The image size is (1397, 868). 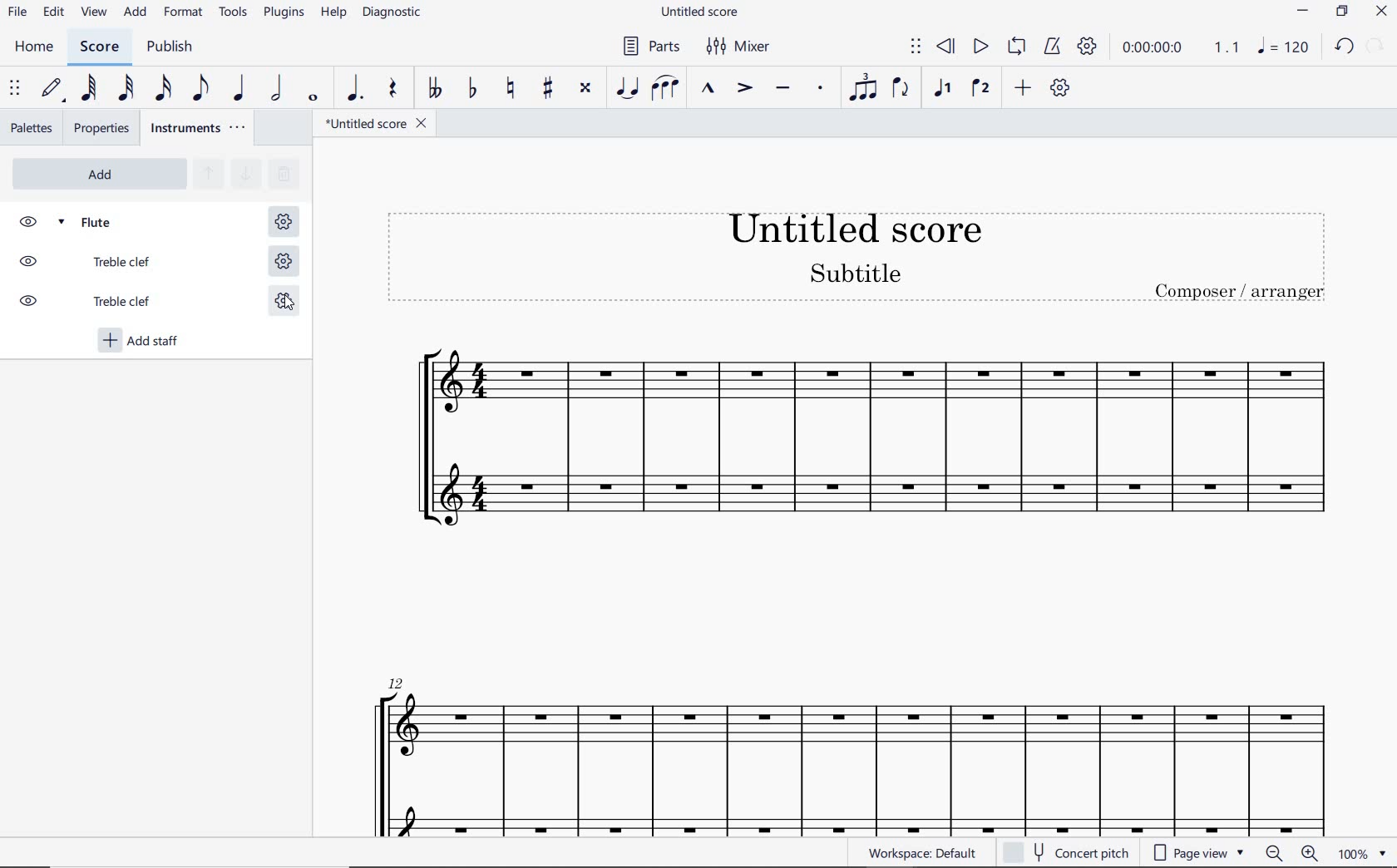 I want to click on MIXER, so click(x=740, y=49).